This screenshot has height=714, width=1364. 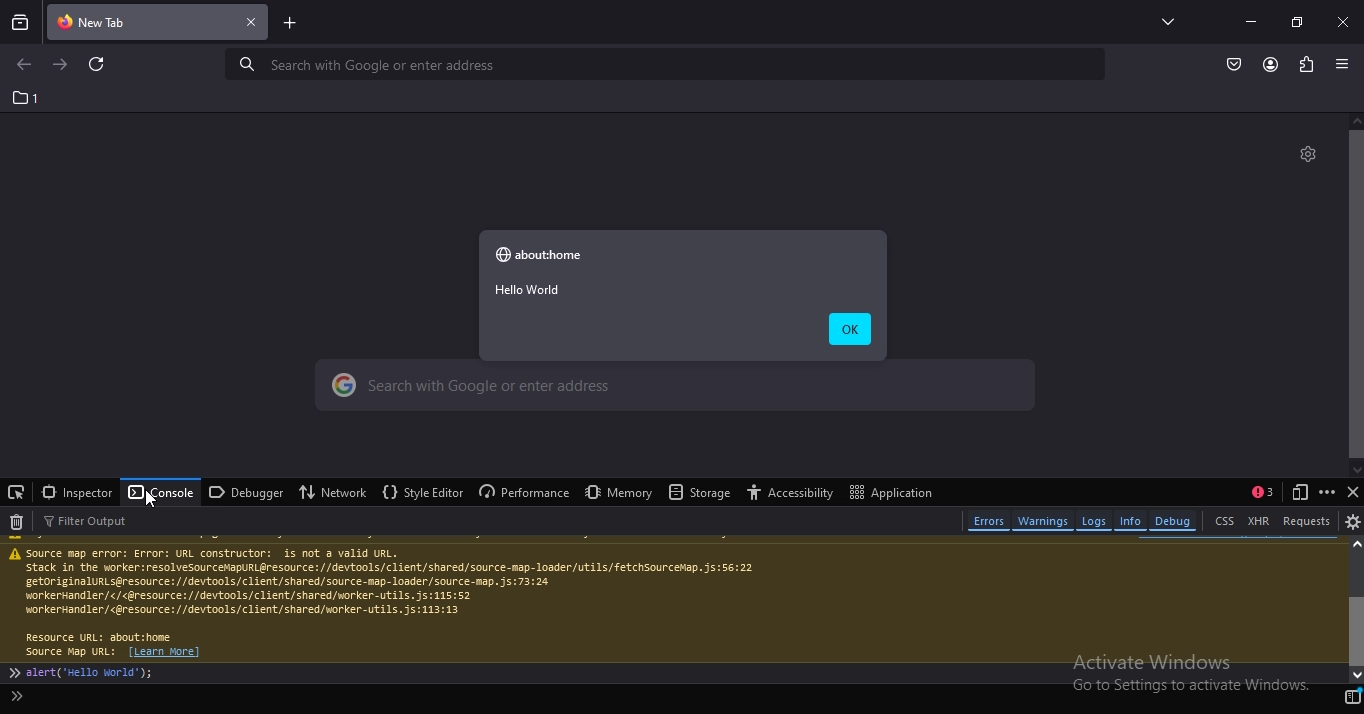 I want to click on warnings, so click(x=1043, y=523).